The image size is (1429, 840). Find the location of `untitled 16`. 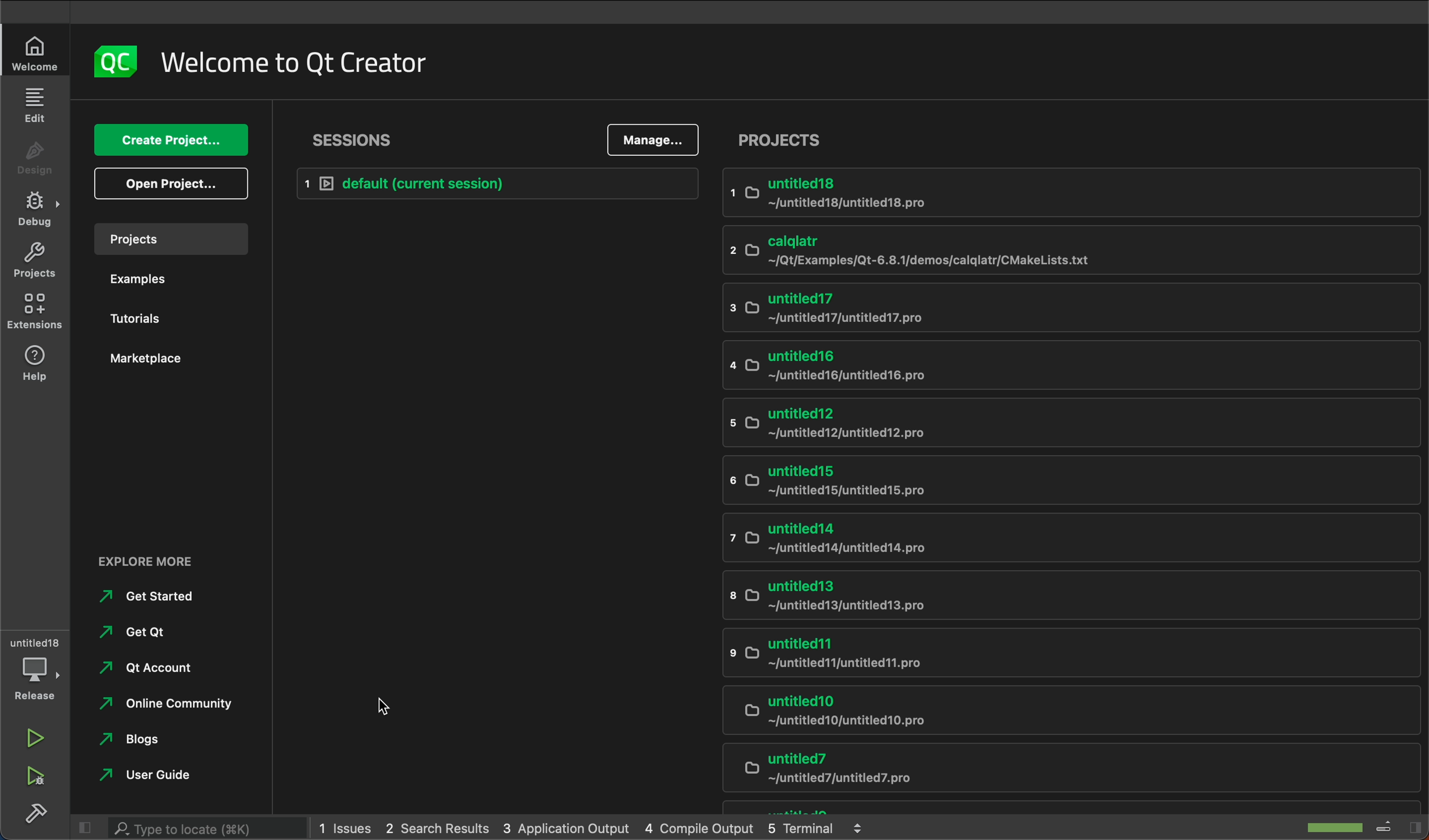

untitled 16 is located at coordinates (984, 366).